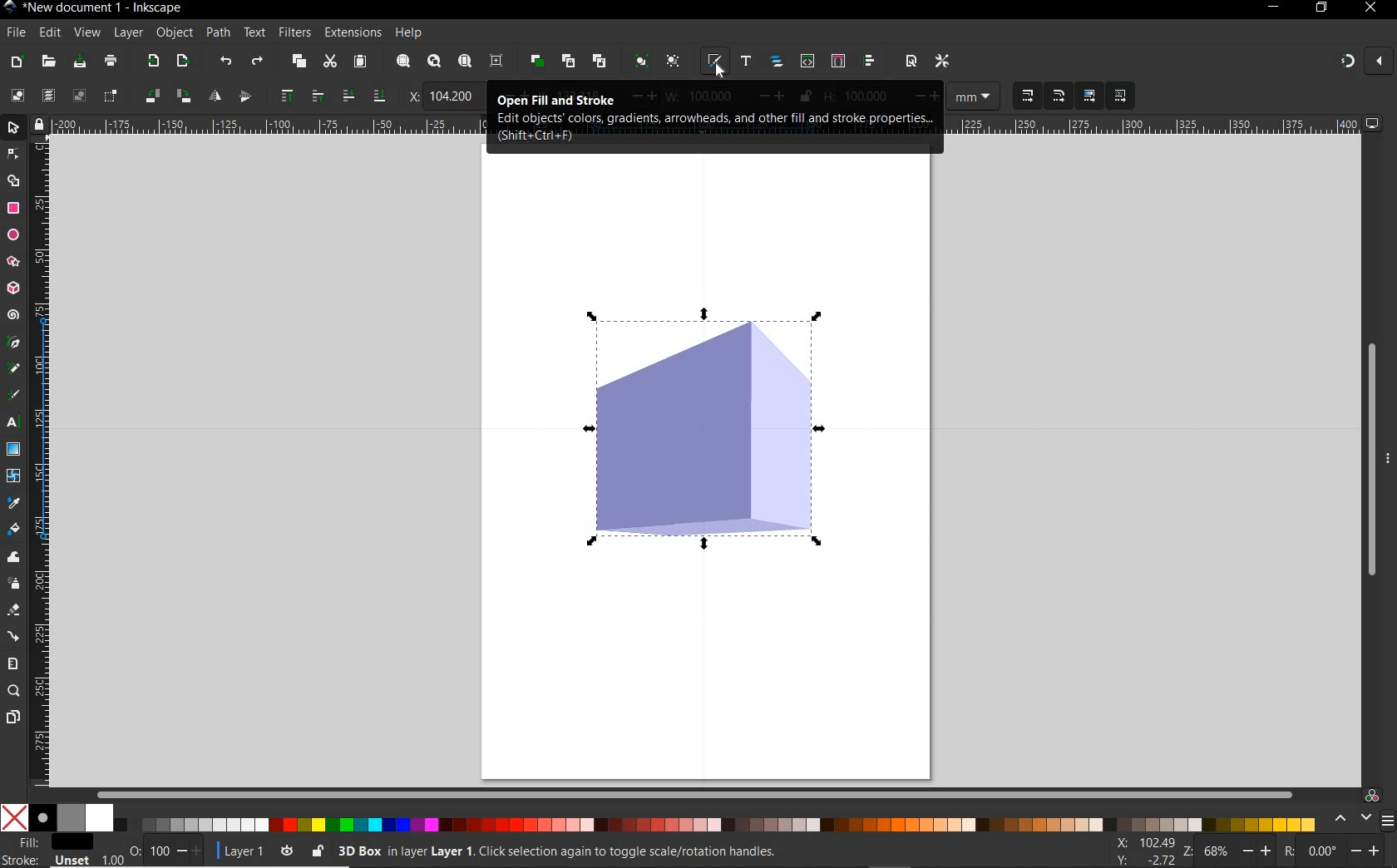  Describe the element at coordinates (600, 62) in the screenshot. I see `UNLINK CODE` at that location.